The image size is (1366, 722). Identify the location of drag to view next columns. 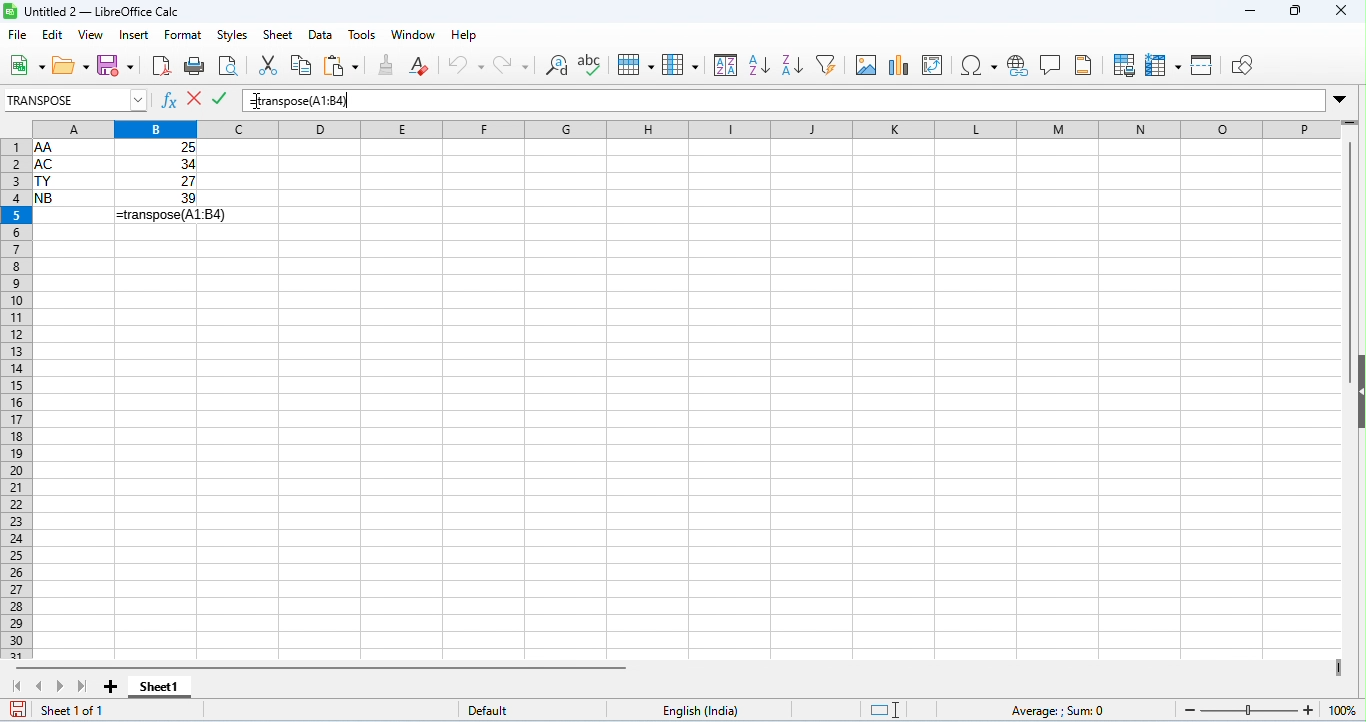
(1339, 667).